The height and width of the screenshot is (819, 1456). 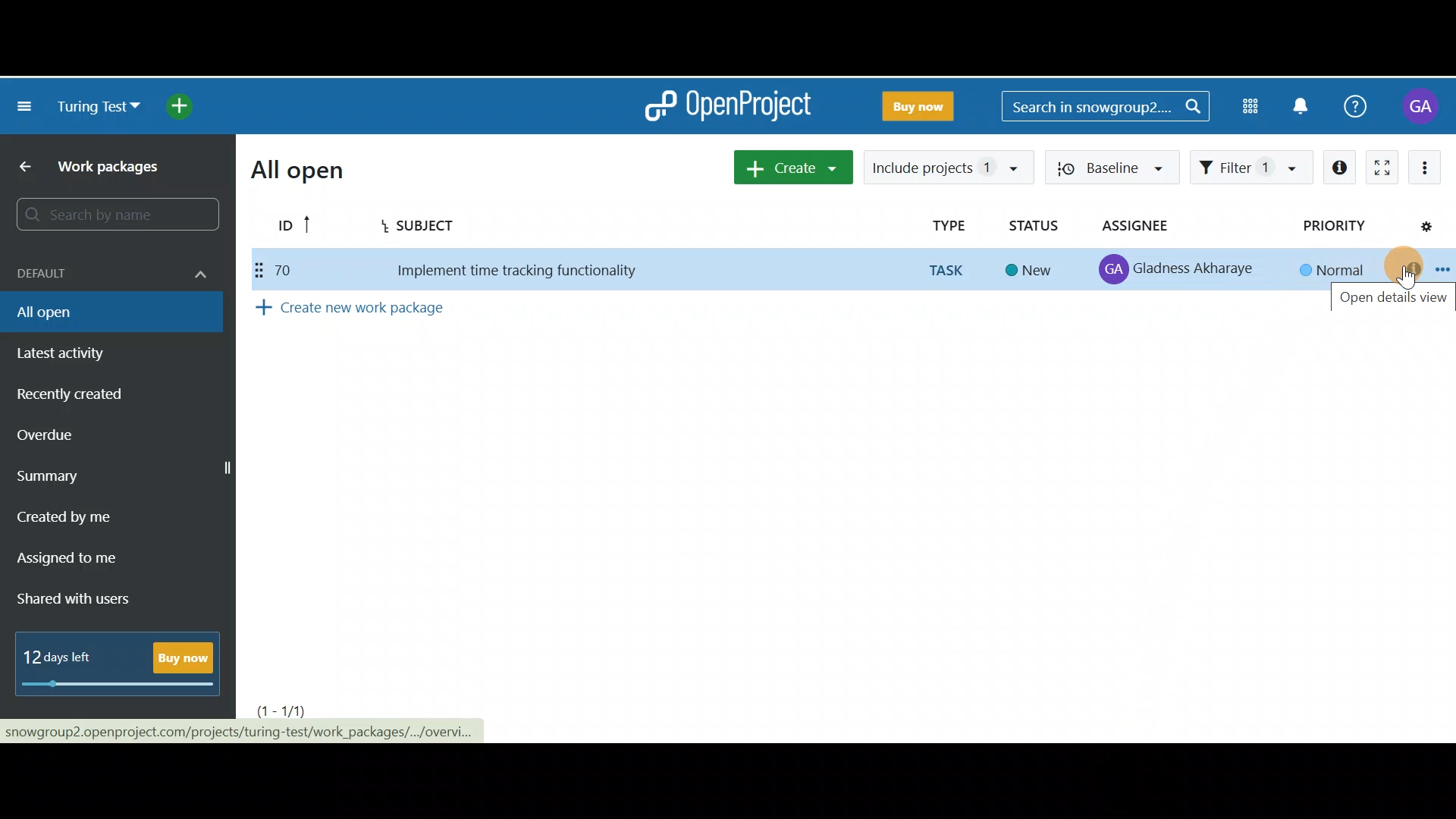 What do you see at coordinates (1174, 270) in the screenshot?
I see `Gladness Akharaye` at bounding box center [1174, 270].